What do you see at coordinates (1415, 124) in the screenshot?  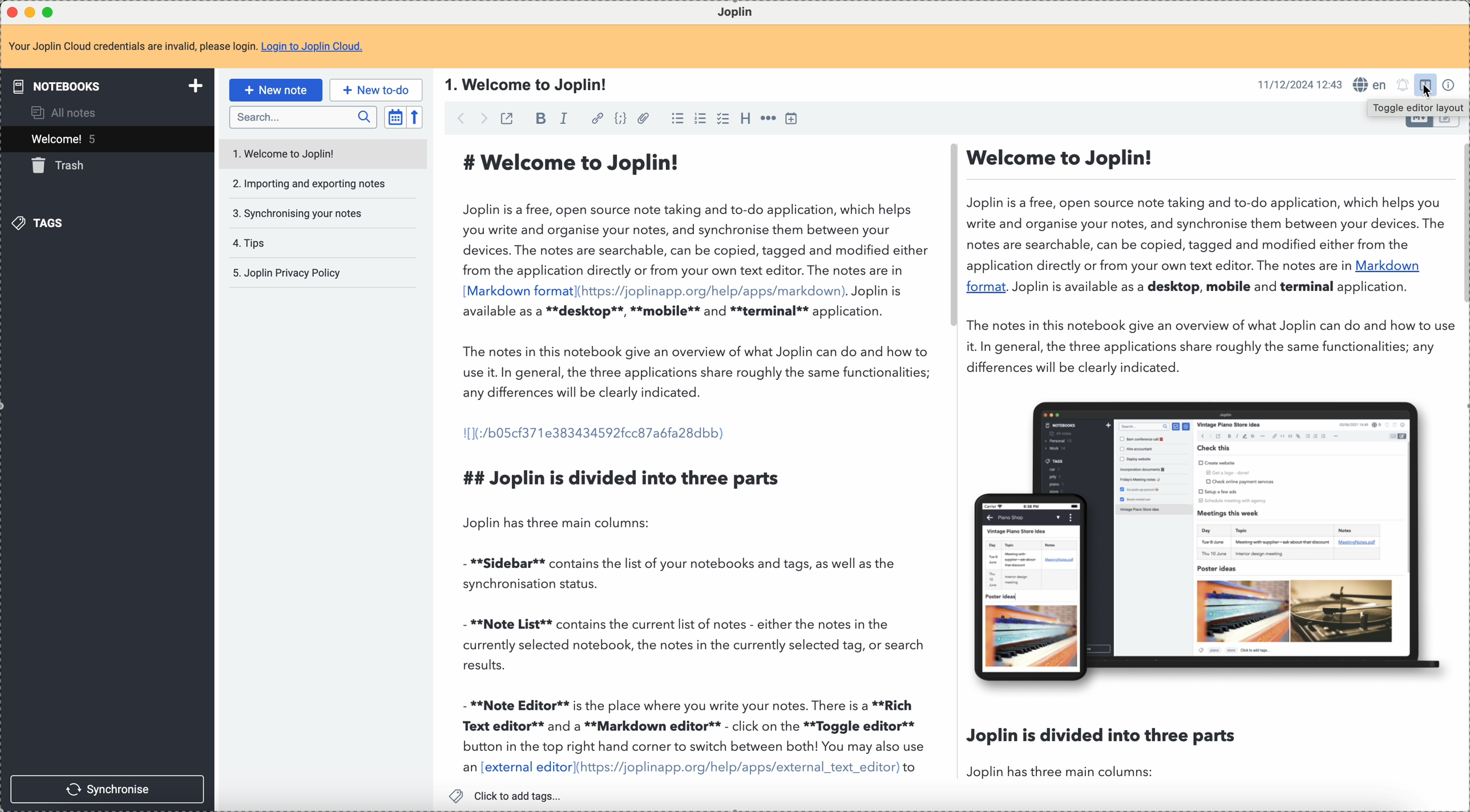 I see `toggle editor` at bounding box center [1415, 124].